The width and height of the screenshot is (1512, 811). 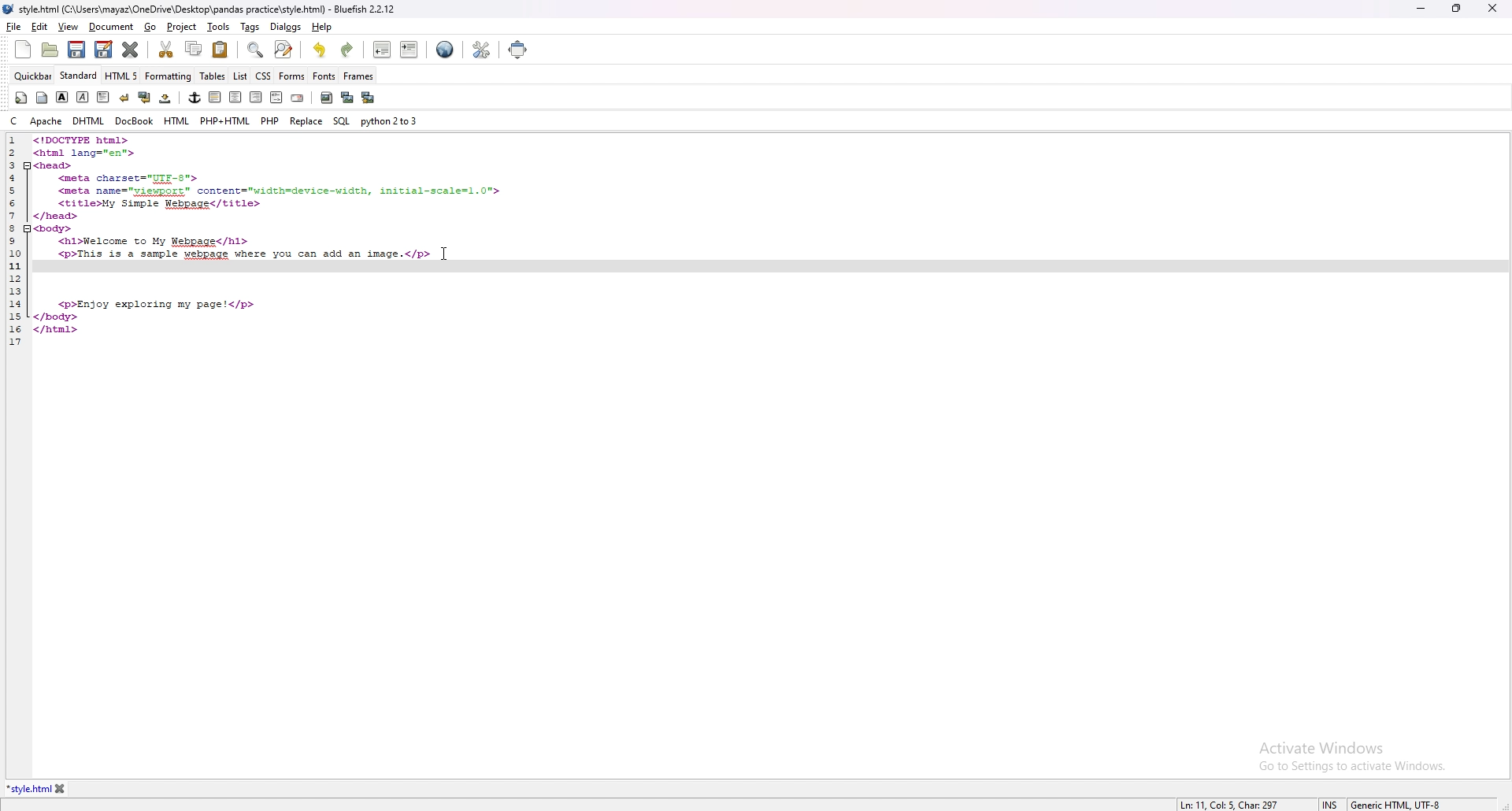 I want to click on </html>, so click(x=57, y=330).